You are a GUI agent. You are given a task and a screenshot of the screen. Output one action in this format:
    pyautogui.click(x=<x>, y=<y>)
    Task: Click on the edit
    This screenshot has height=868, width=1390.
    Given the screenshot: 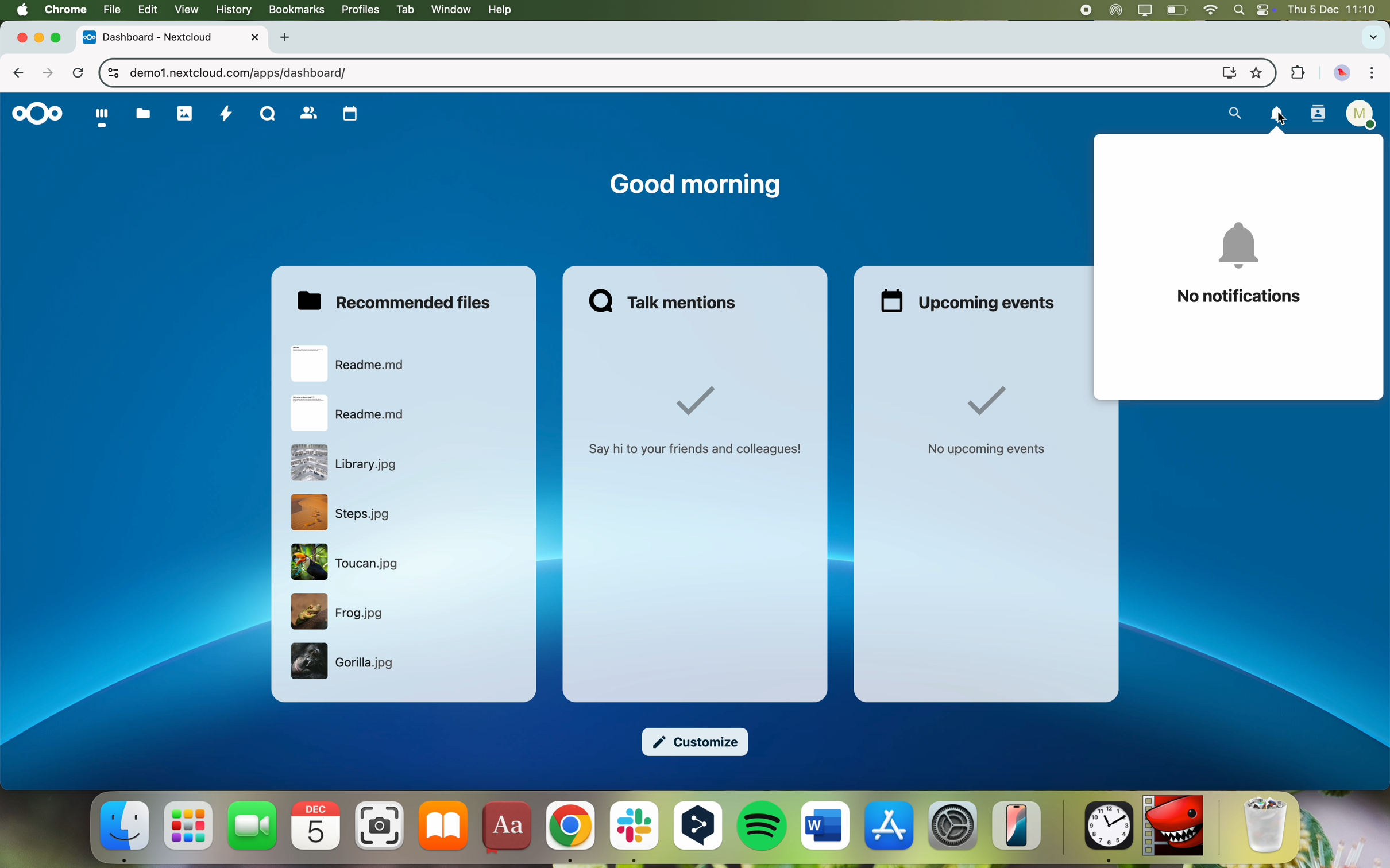 What is the action you would take?
    pyautogui.click(x=146, y=10)
    